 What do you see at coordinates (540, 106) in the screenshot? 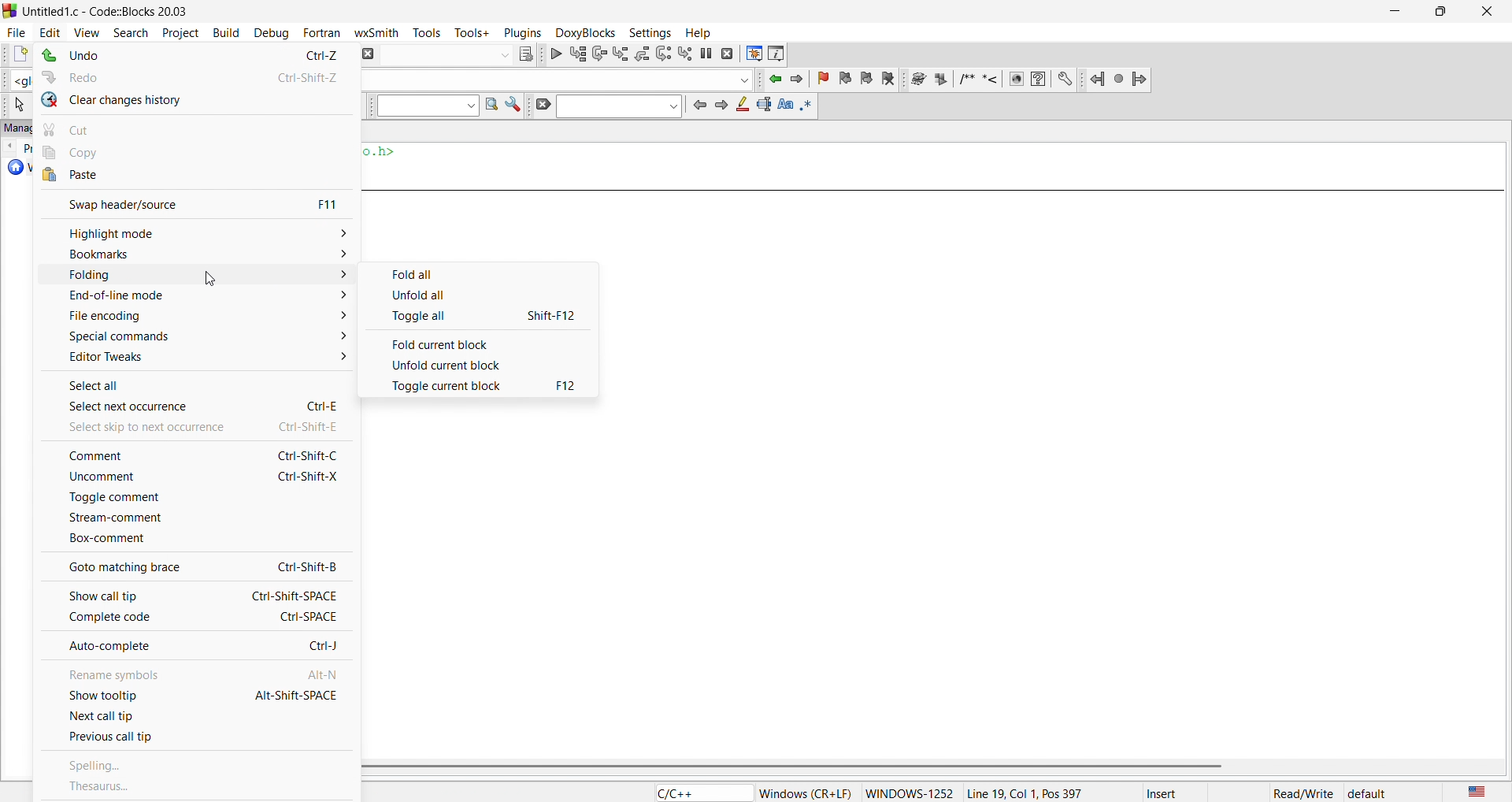
I see `clear` at bounding box center [540, 106].